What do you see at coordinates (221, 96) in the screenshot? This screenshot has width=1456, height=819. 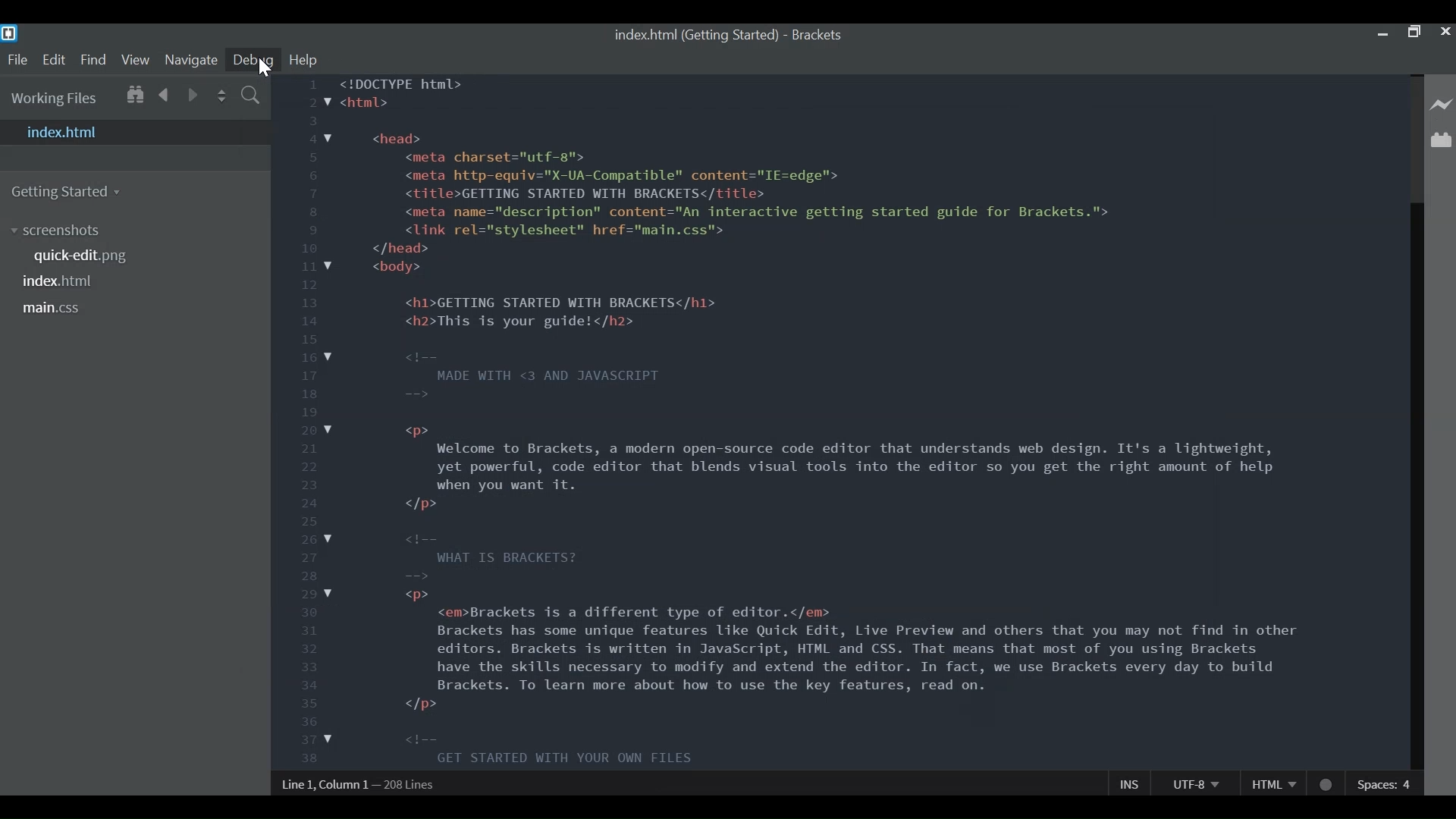 I see `Split the editor vertically or horizontally` at bounding box center [221, 96].